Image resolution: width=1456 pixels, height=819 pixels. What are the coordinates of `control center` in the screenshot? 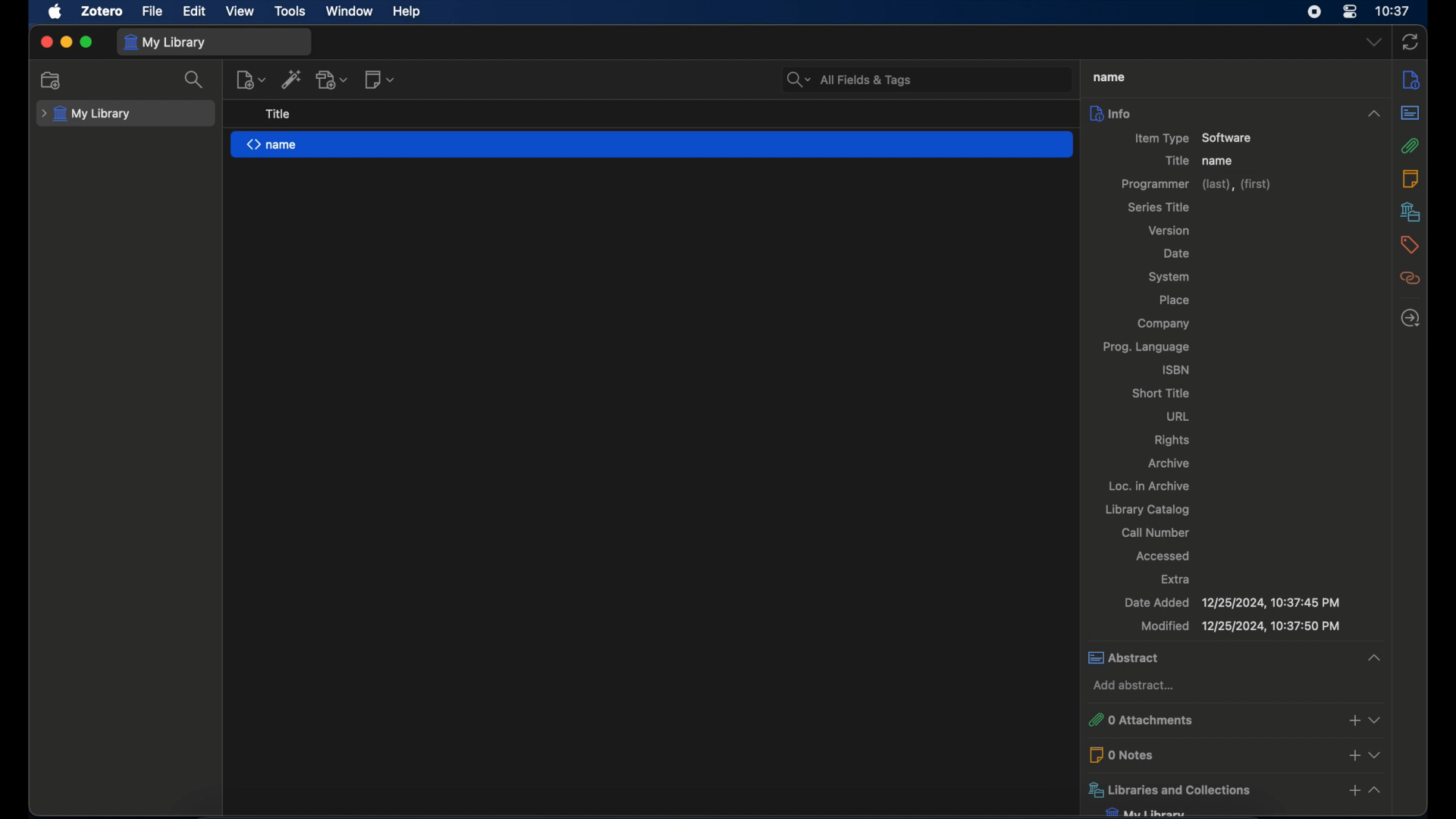 It's located at (1351, 13).